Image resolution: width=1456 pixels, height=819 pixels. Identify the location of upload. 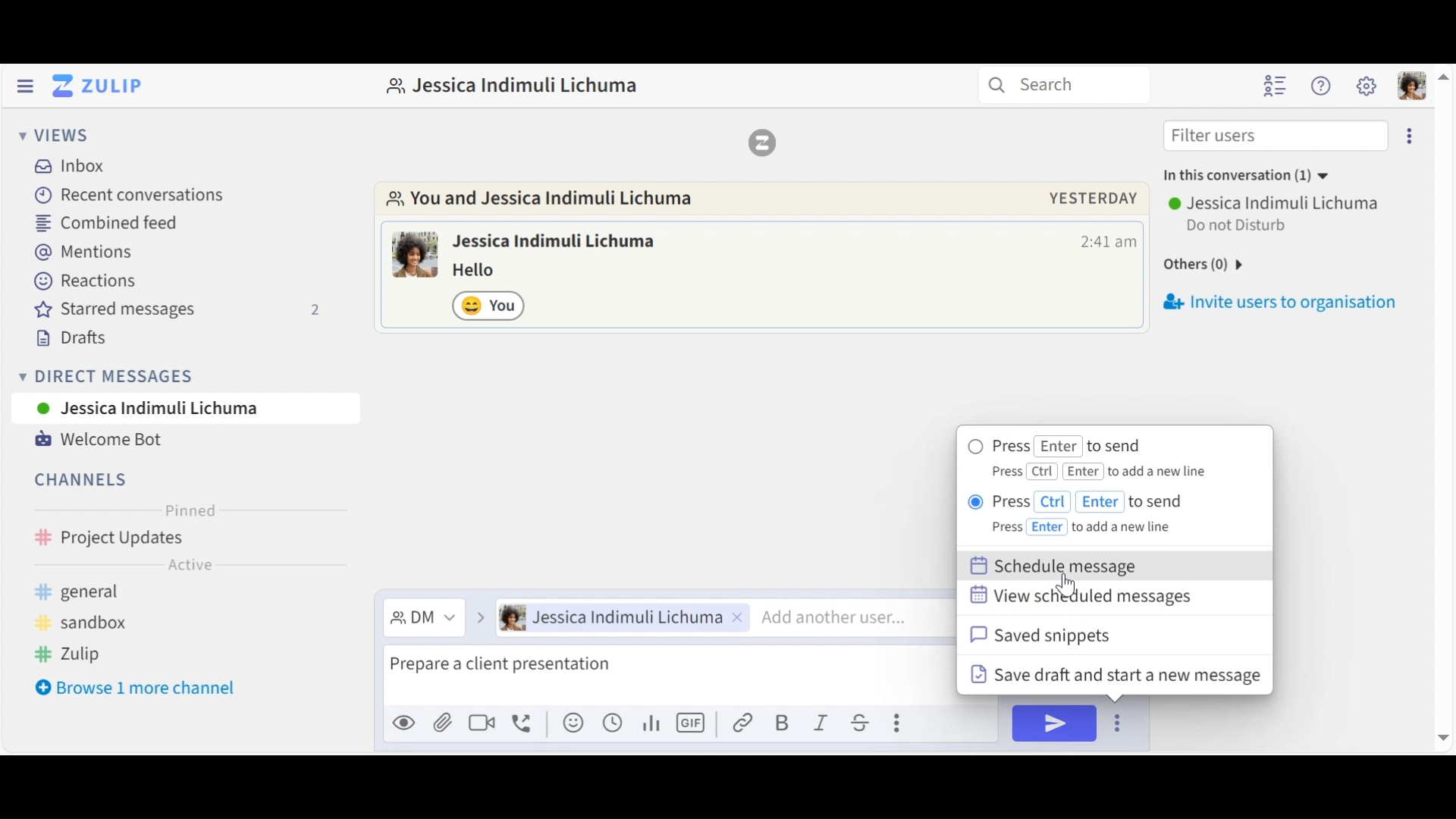
(443, 725).